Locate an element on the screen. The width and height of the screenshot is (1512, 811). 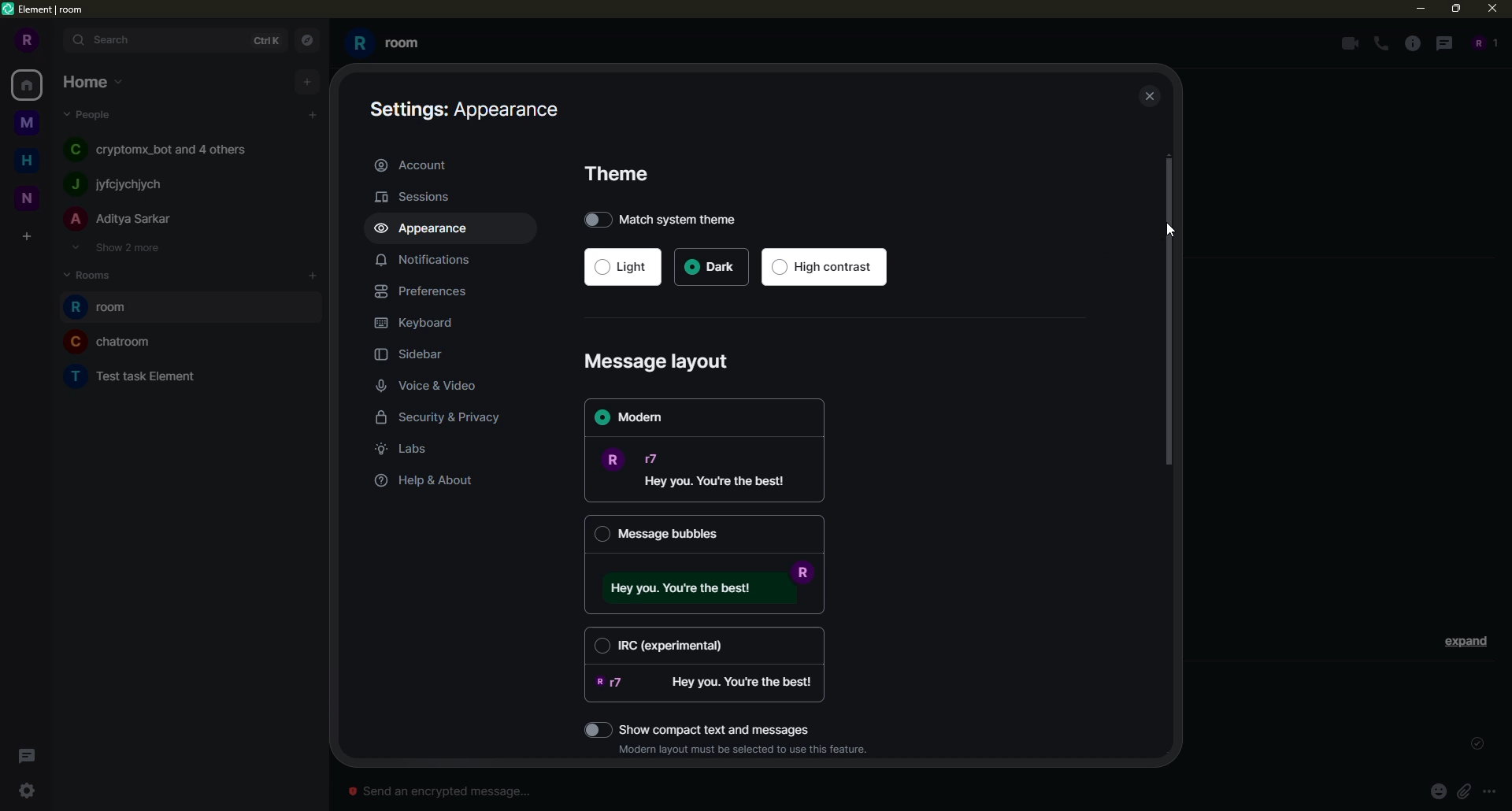
threads is located at coordinates (1442, 43).